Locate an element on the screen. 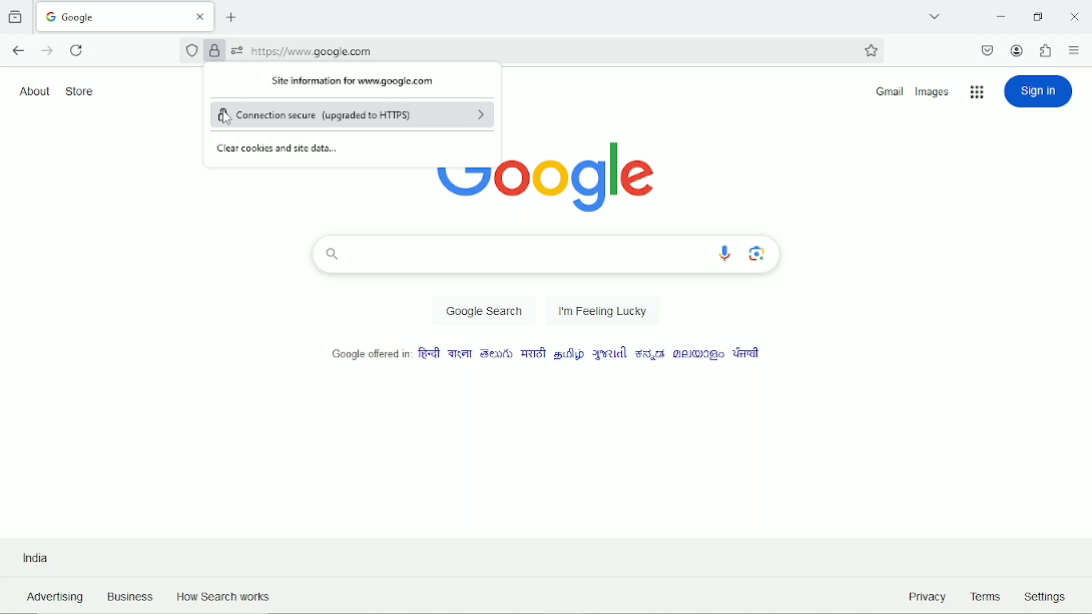 The image size is (1092, 614). extensions is located at coordinates (1046, 49).